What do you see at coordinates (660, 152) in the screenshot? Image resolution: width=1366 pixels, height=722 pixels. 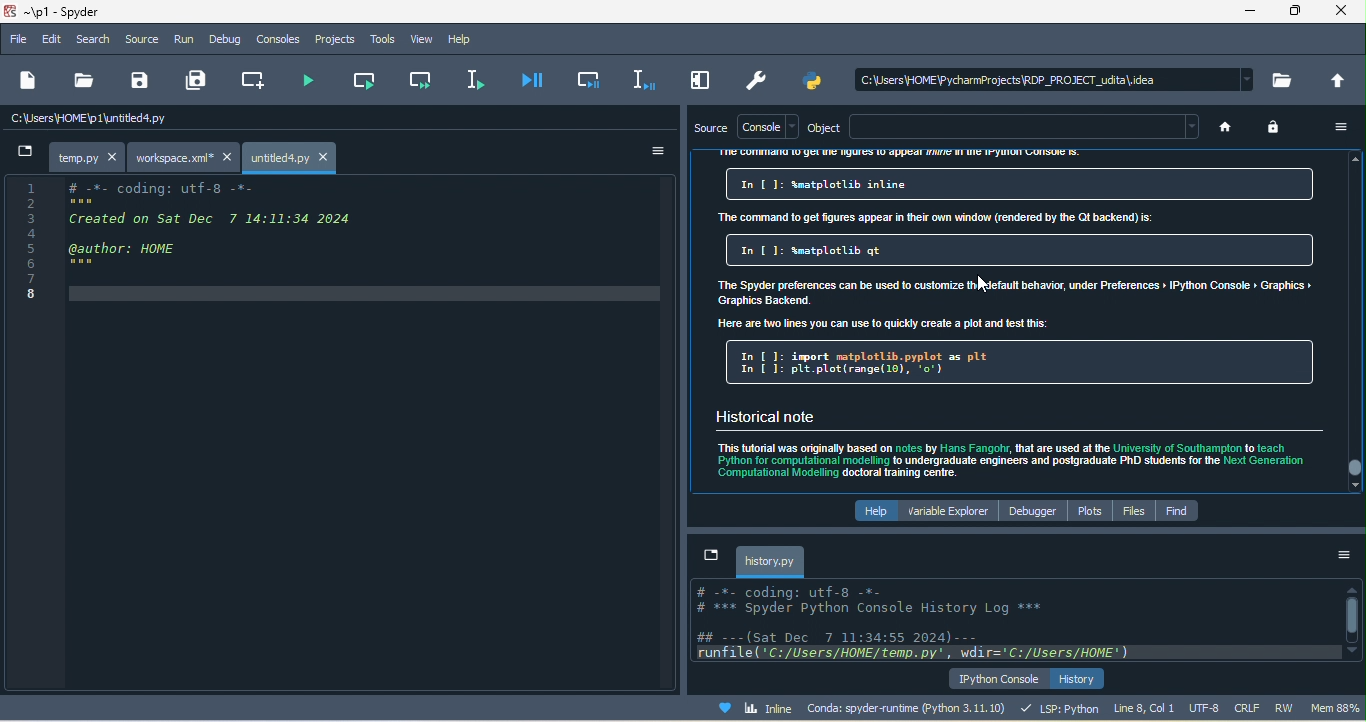 I see `option` at bounding box center [660, 152].